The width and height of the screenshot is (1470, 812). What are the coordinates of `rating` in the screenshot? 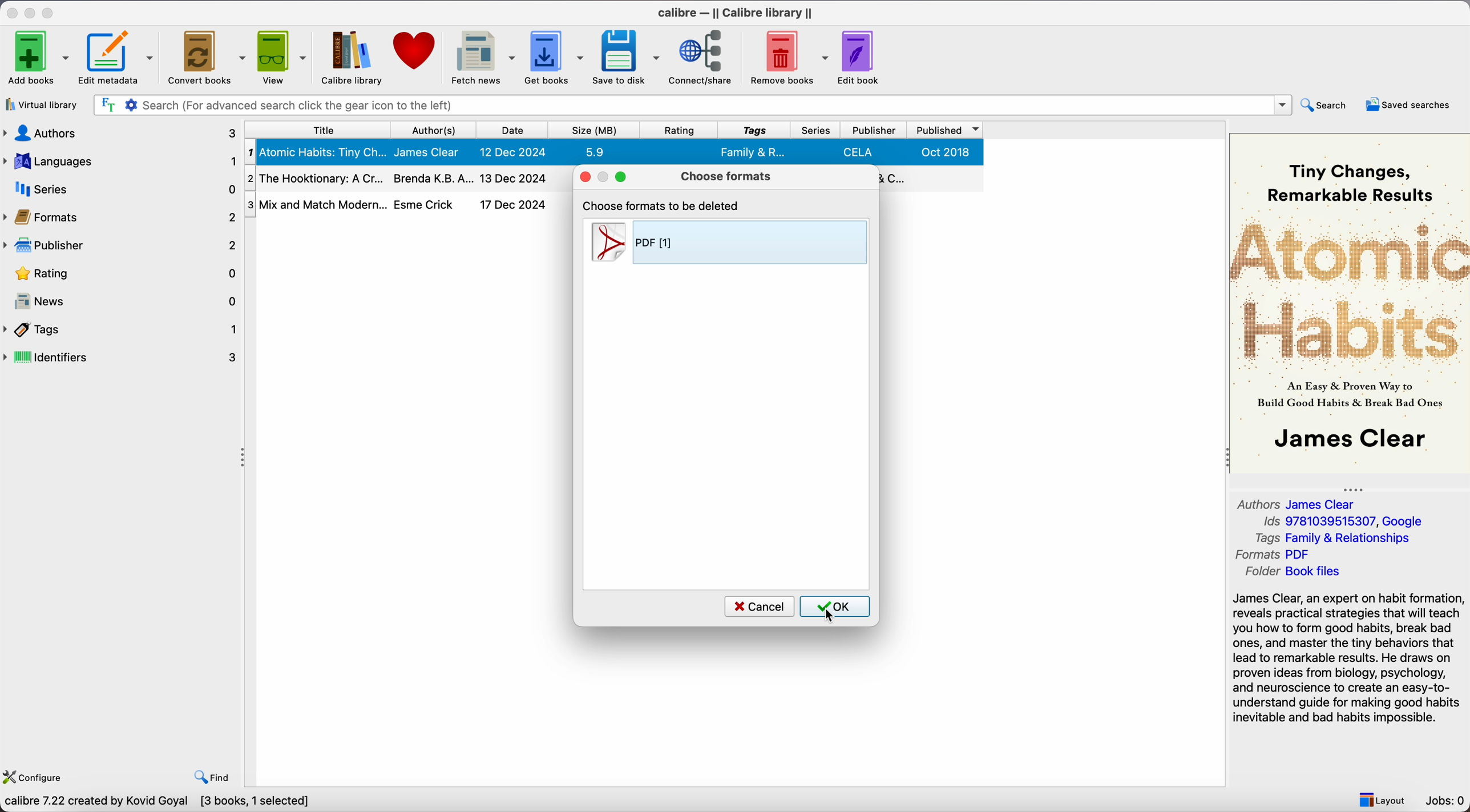 It's located at (680, 130).